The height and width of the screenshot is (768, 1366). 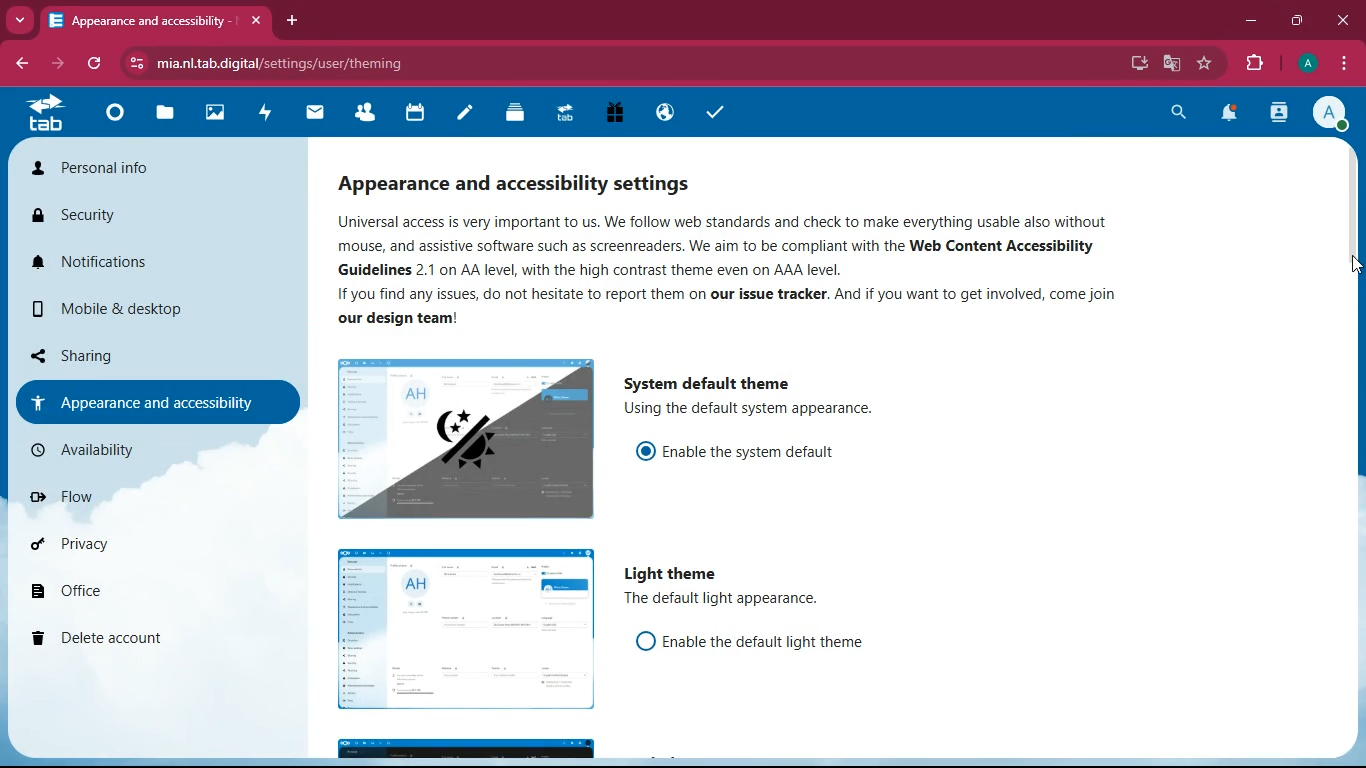 I want to click on description, so click(x=765, y=413).